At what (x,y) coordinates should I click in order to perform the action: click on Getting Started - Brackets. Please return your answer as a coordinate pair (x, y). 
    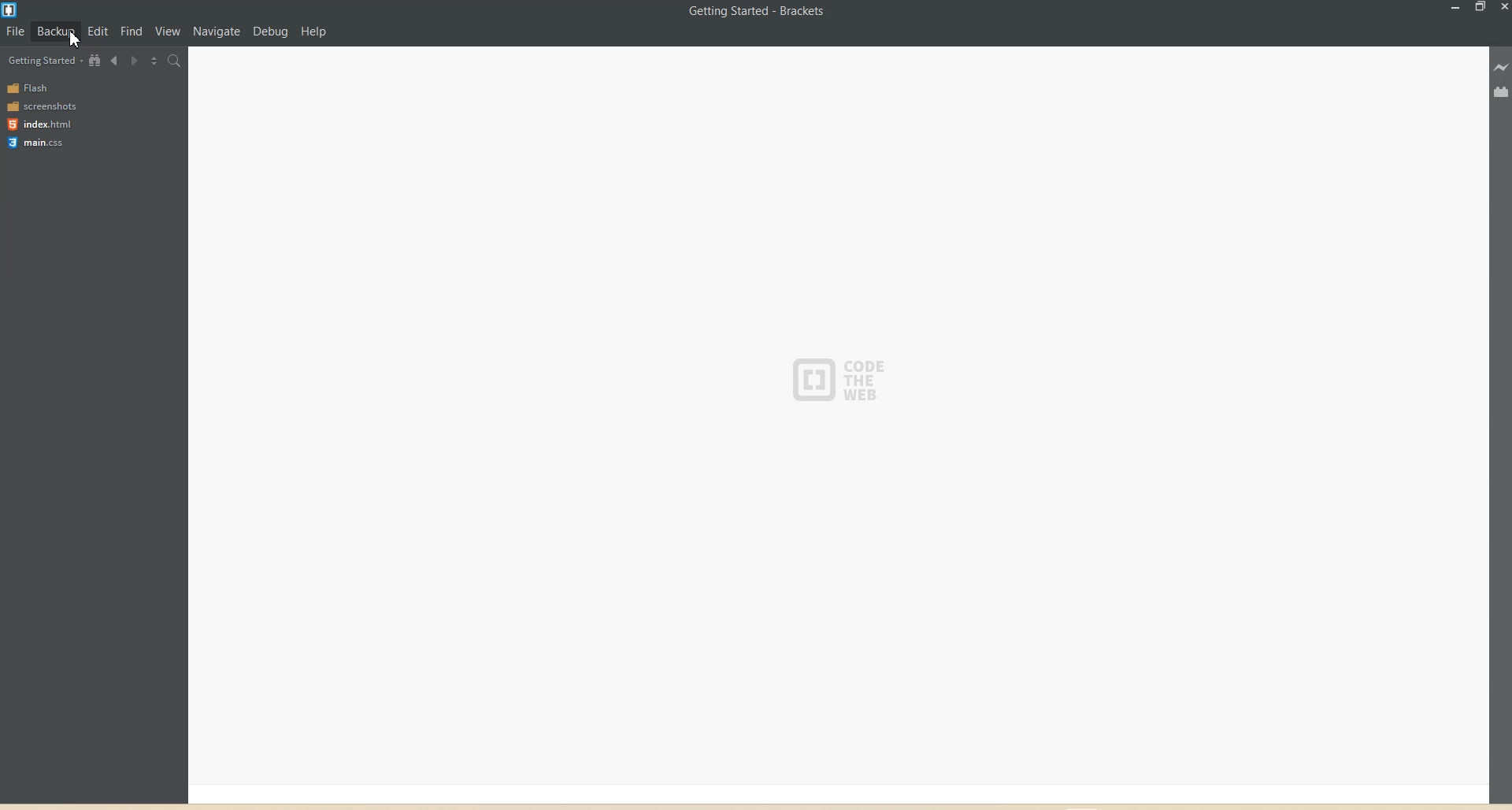
    Looking at the image, I should click on (756, 12).